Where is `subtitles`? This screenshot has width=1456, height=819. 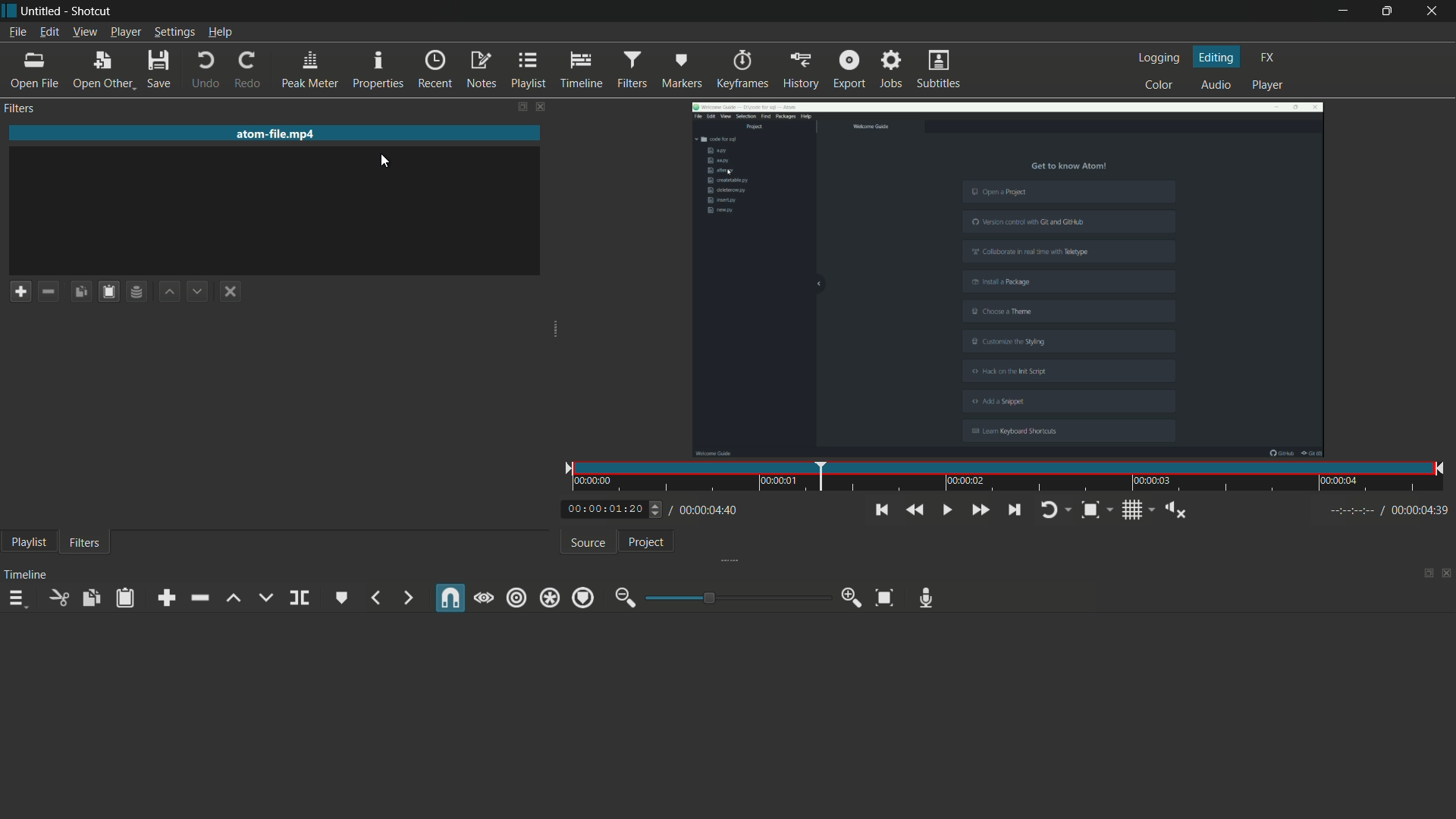
subtitles is located at coordinates (939, 69).